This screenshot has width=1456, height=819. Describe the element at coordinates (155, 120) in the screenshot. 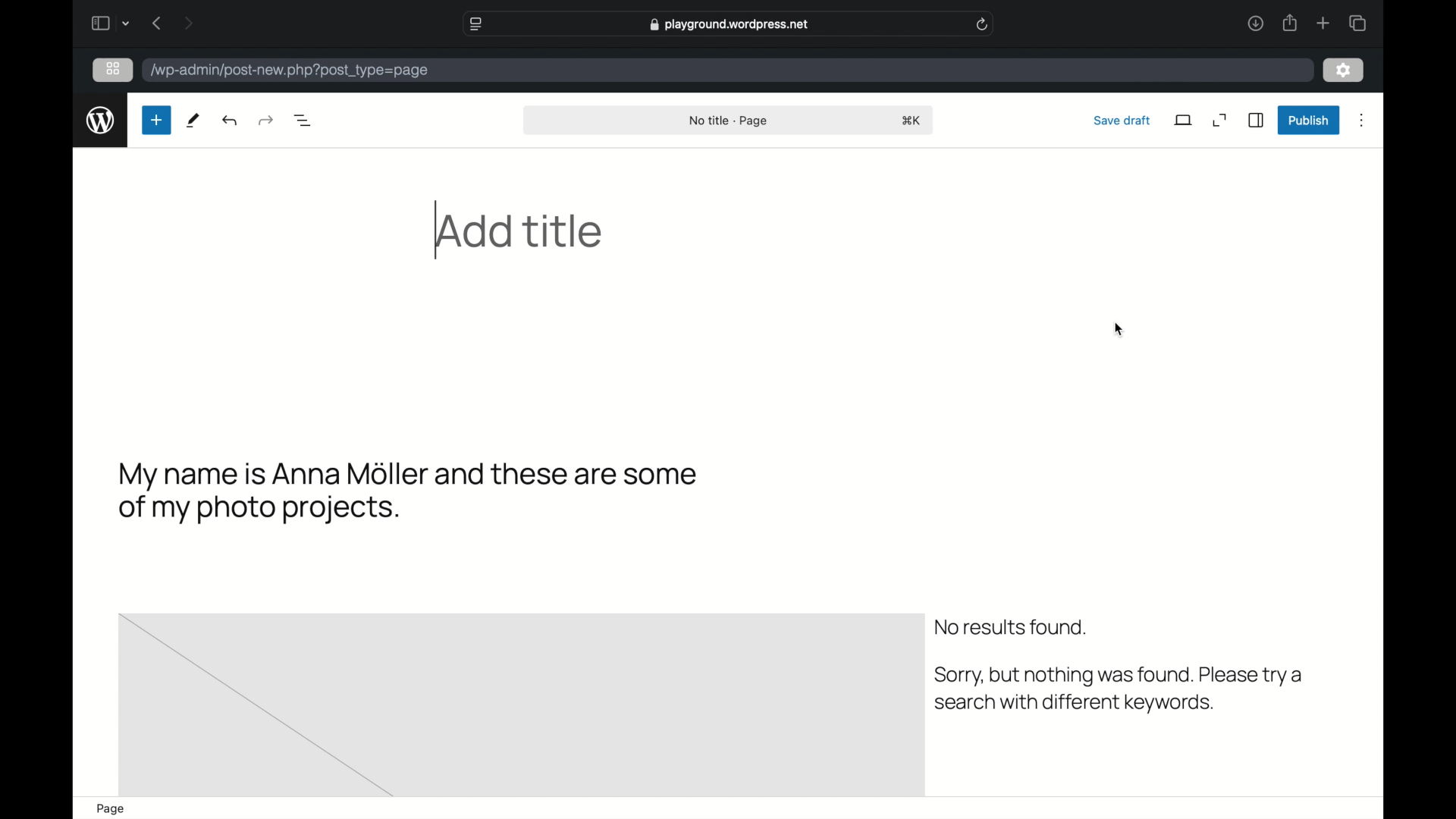

I see `new` at that location.